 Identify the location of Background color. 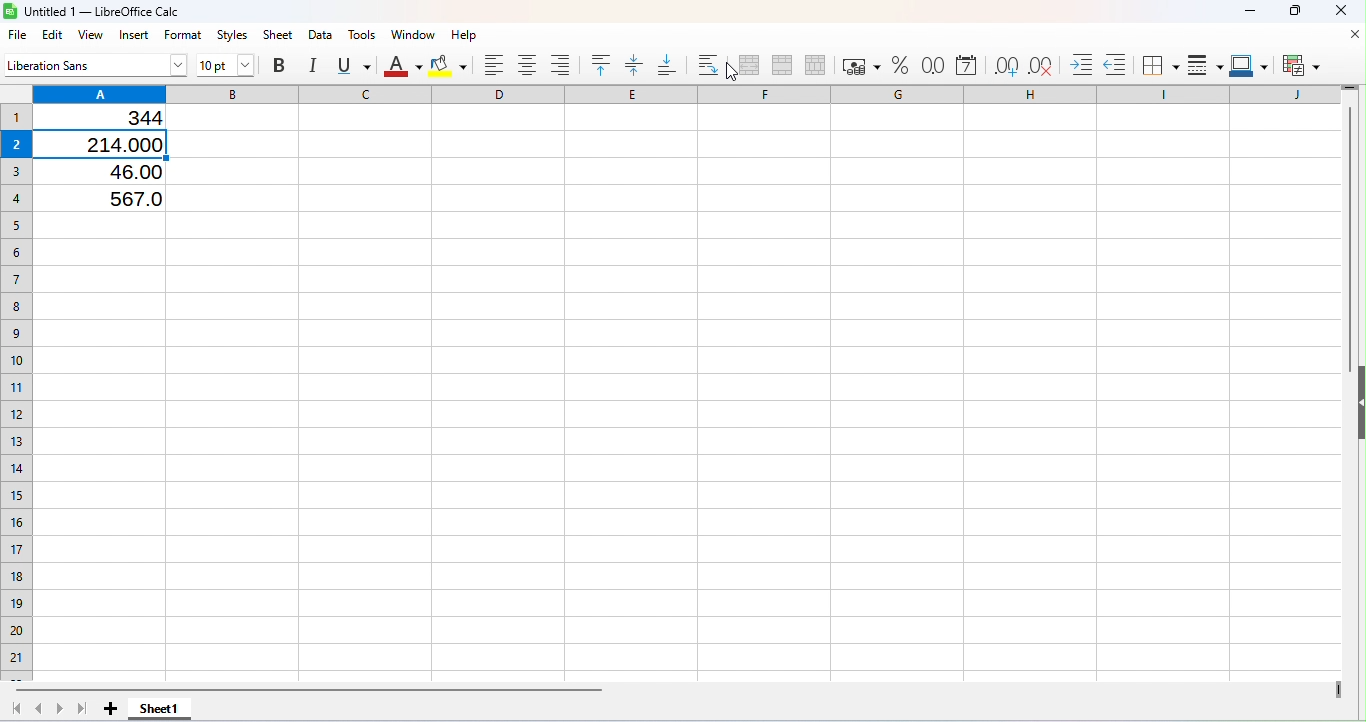
(451, 65).